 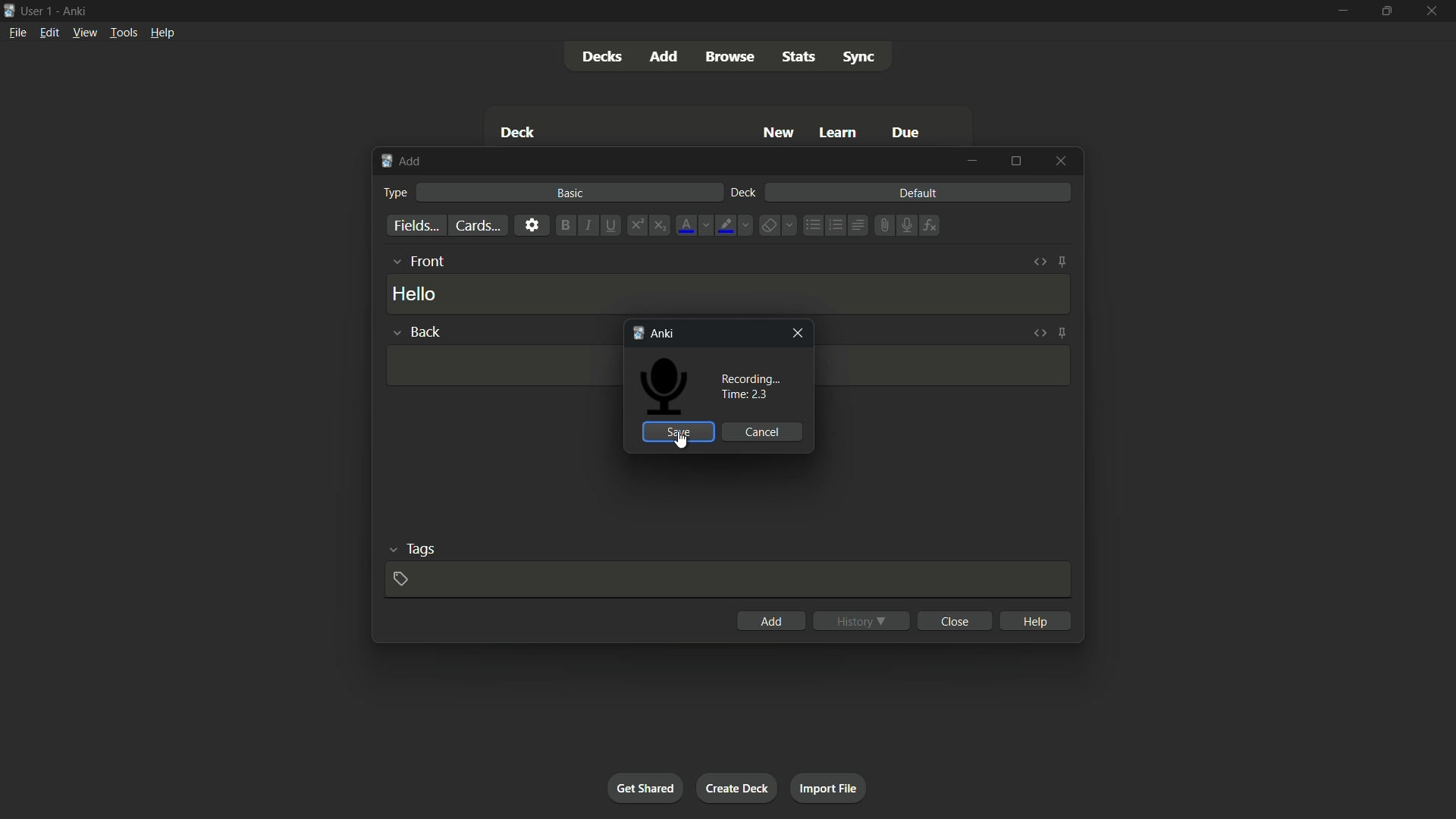 I want to click on close, so click(x=957, y=620).